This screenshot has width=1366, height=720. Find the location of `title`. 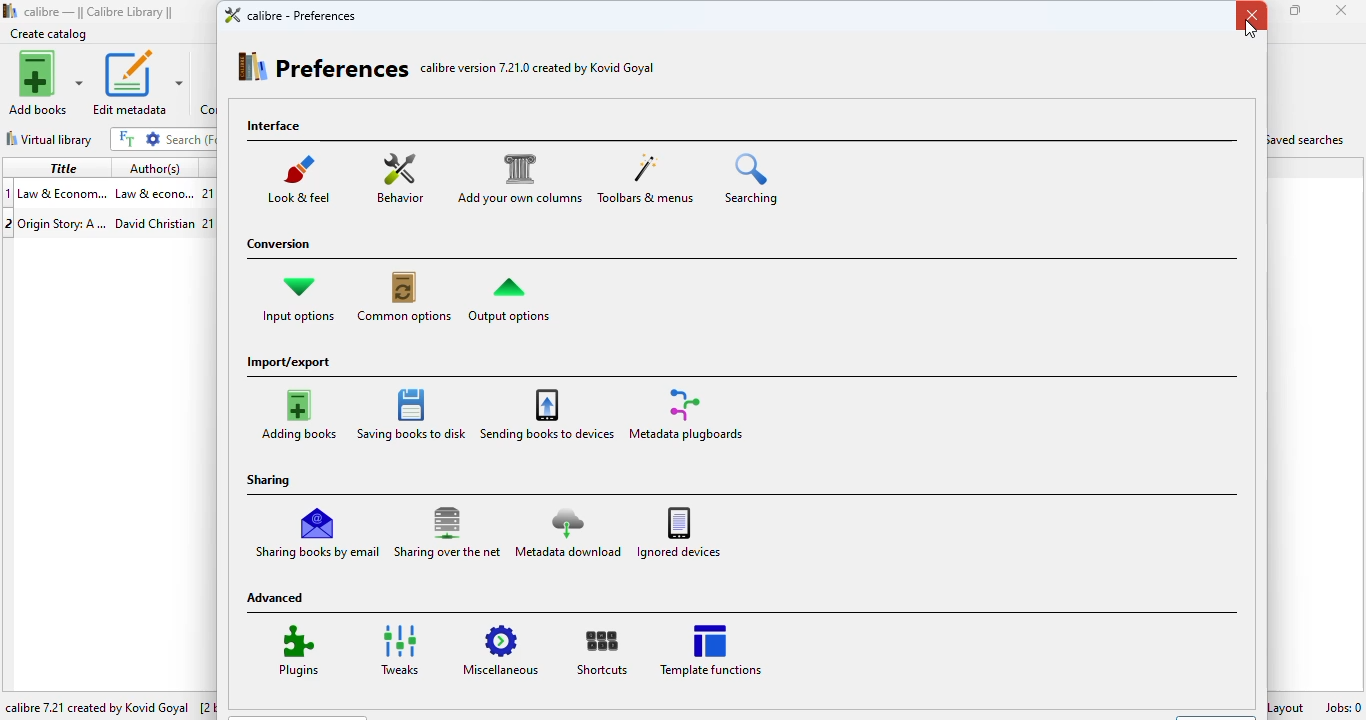

title is located at coordinates (67, 168).